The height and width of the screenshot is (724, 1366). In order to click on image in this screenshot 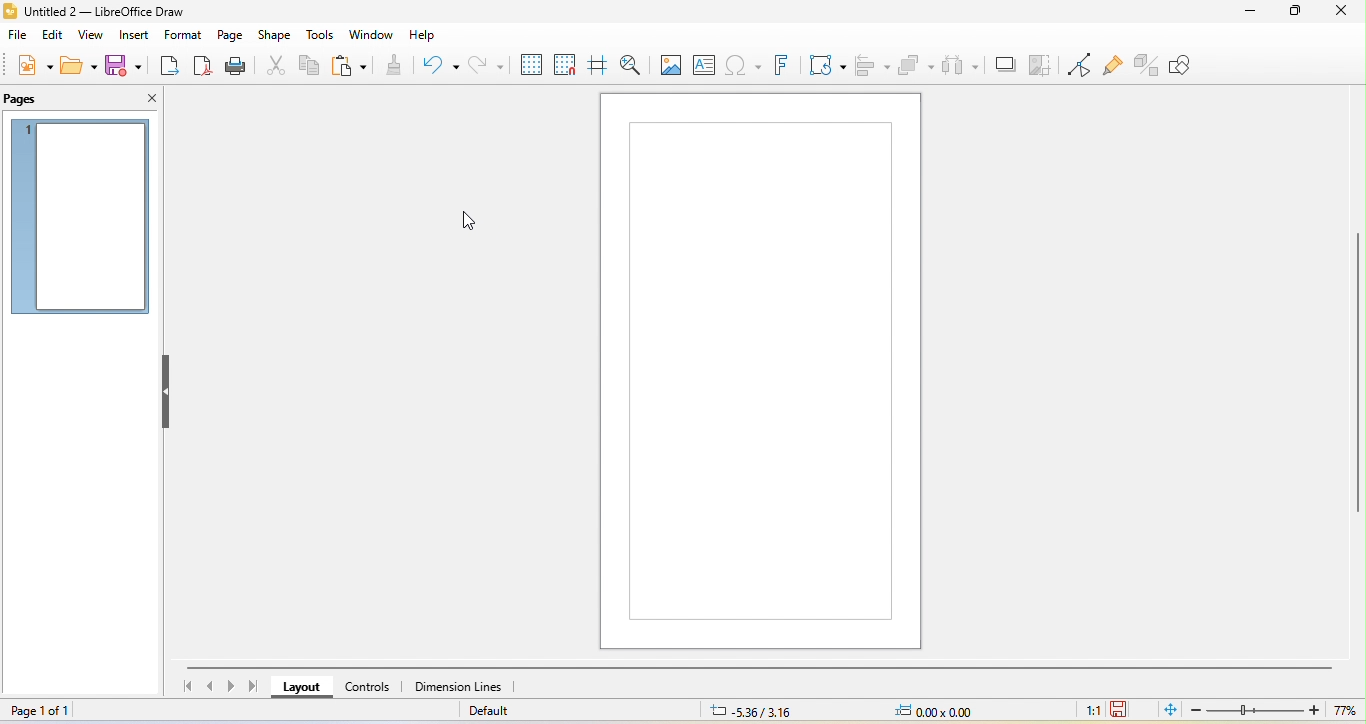, I will do `click(670, 64)`.